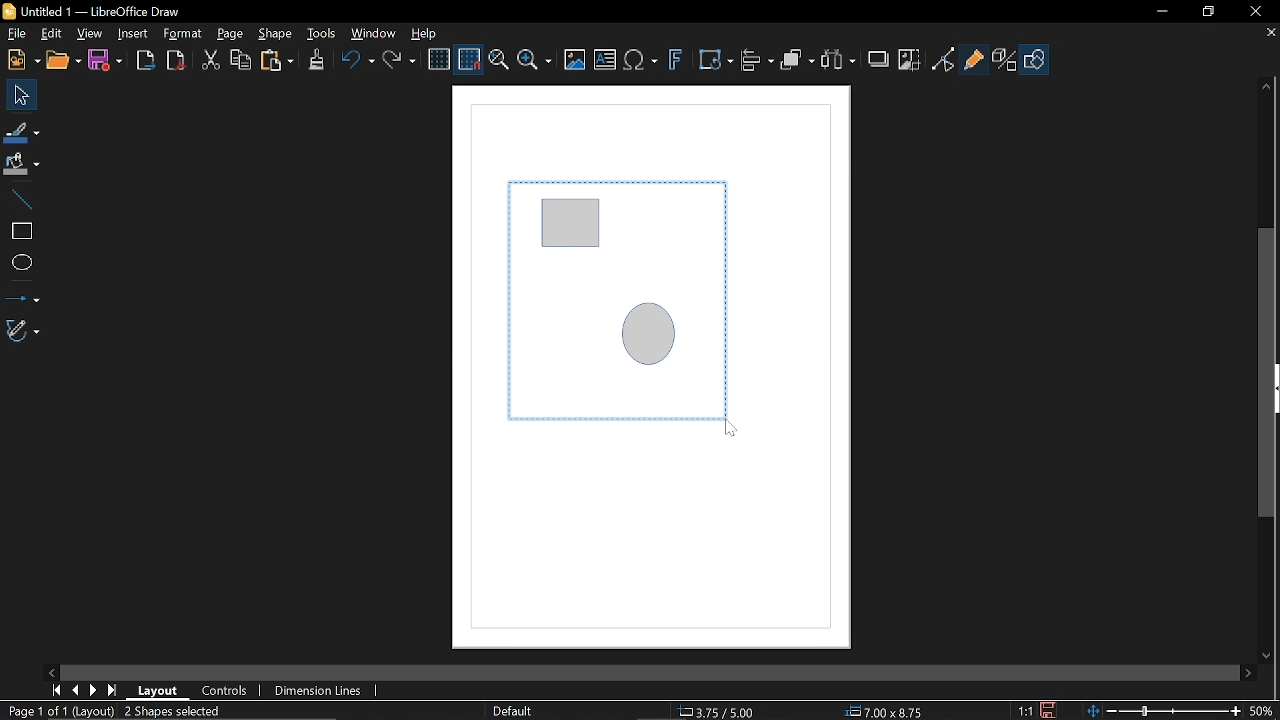 Image resolution: width=1280 pixels, height=720 pixels. Describe the element at coordinates (22, 59) in the screenshot. I see `New` at that location.